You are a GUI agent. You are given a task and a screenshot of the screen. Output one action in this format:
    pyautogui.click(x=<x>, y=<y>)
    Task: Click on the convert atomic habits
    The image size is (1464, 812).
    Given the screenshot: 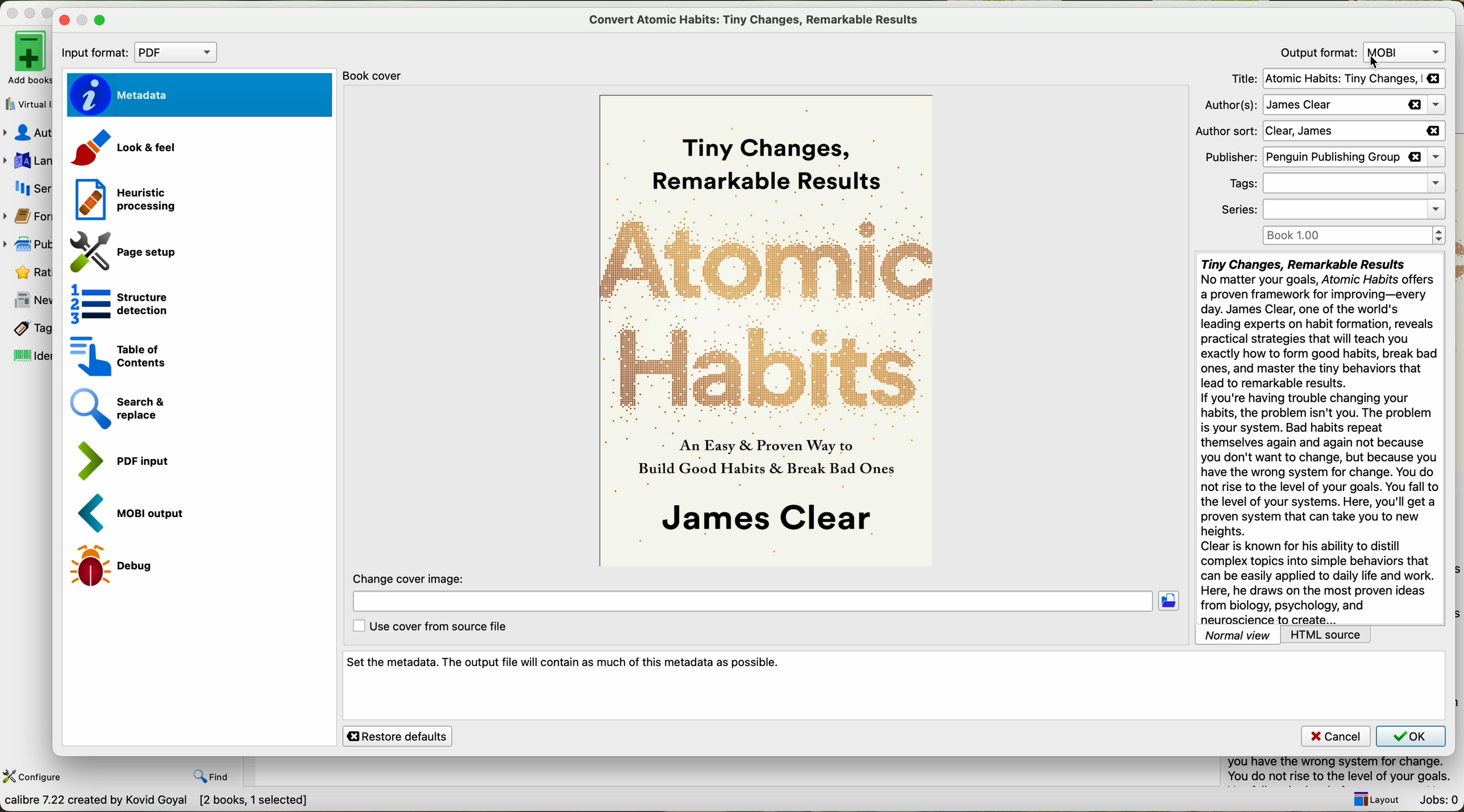 What is the action you would take?
    pyautogui.click(x=759, y=19)
    